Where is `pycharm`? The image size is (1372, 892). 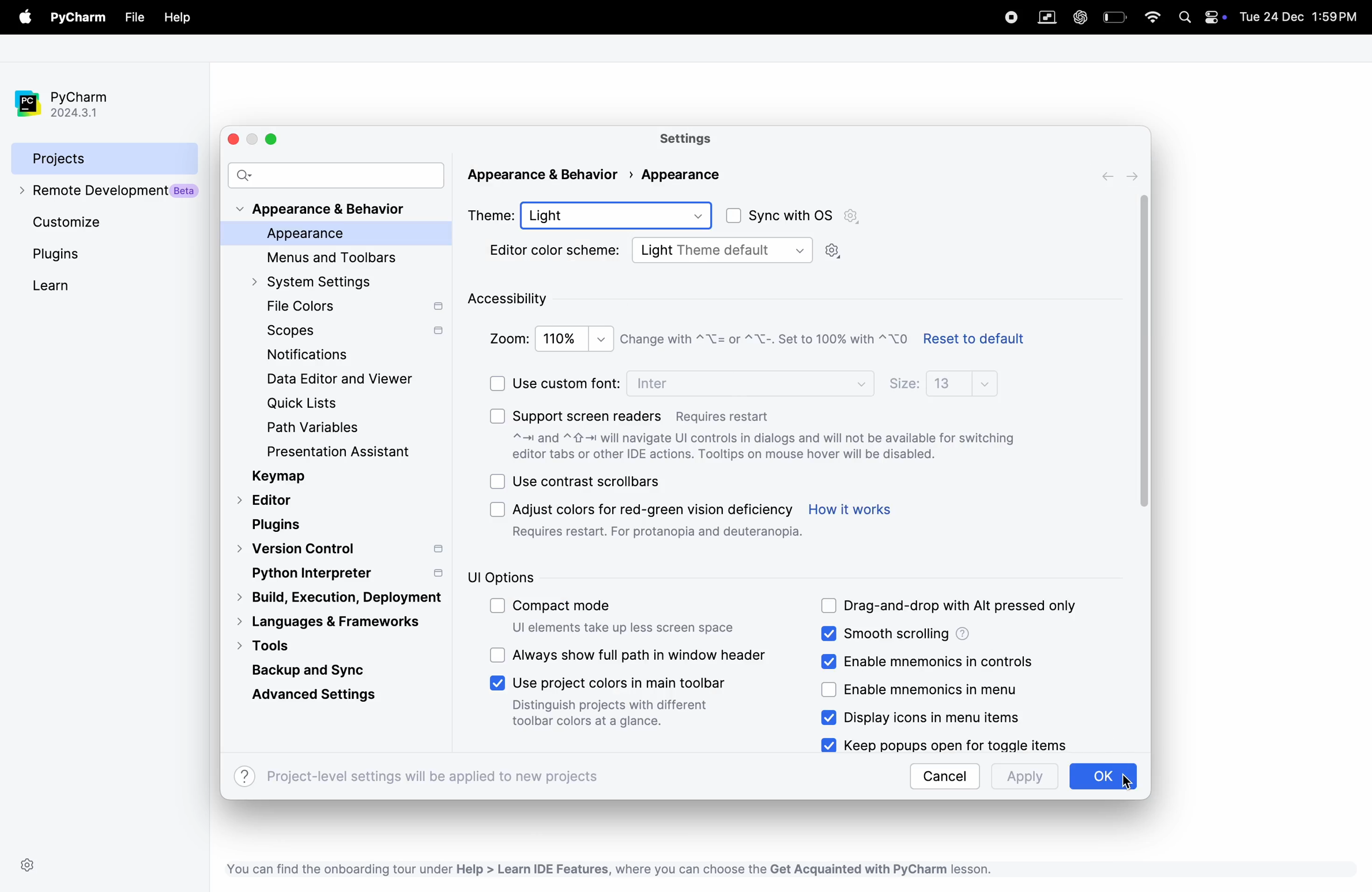
pycharm is located at coordinates (67, 97).